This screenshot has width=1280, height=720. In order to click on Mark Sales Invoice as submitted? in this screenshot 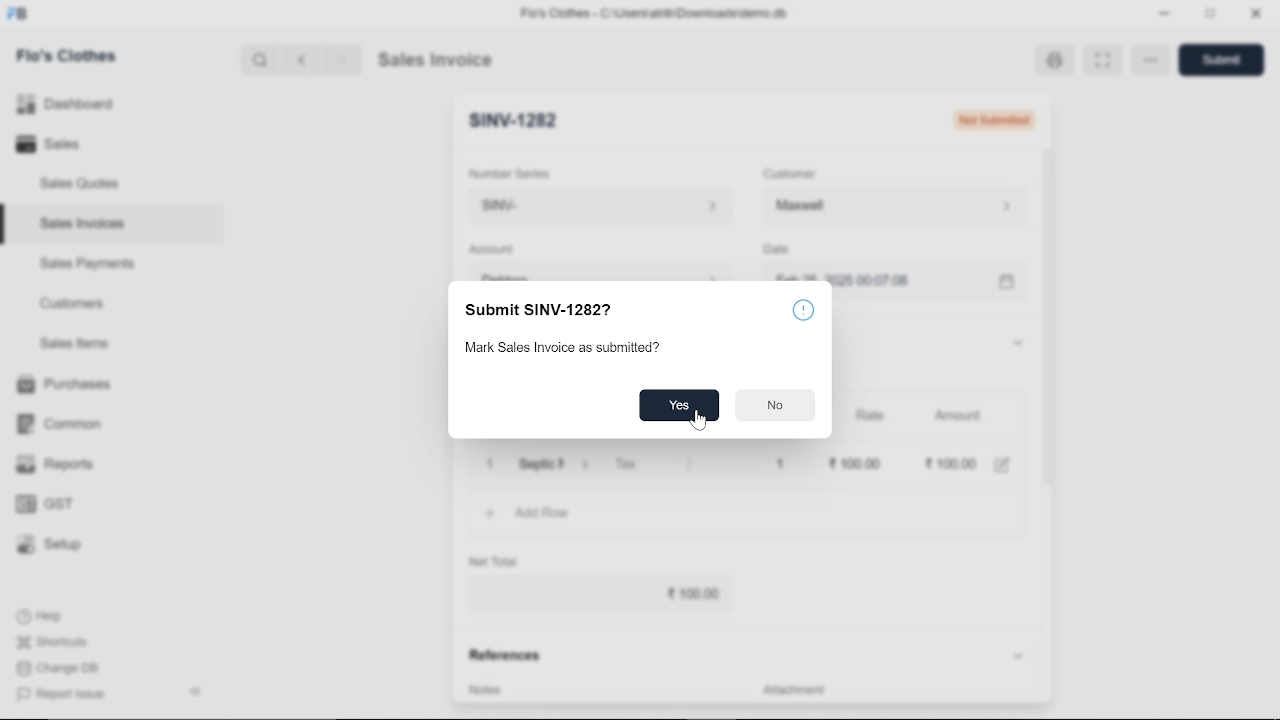, I will do `click(566, 349)`.